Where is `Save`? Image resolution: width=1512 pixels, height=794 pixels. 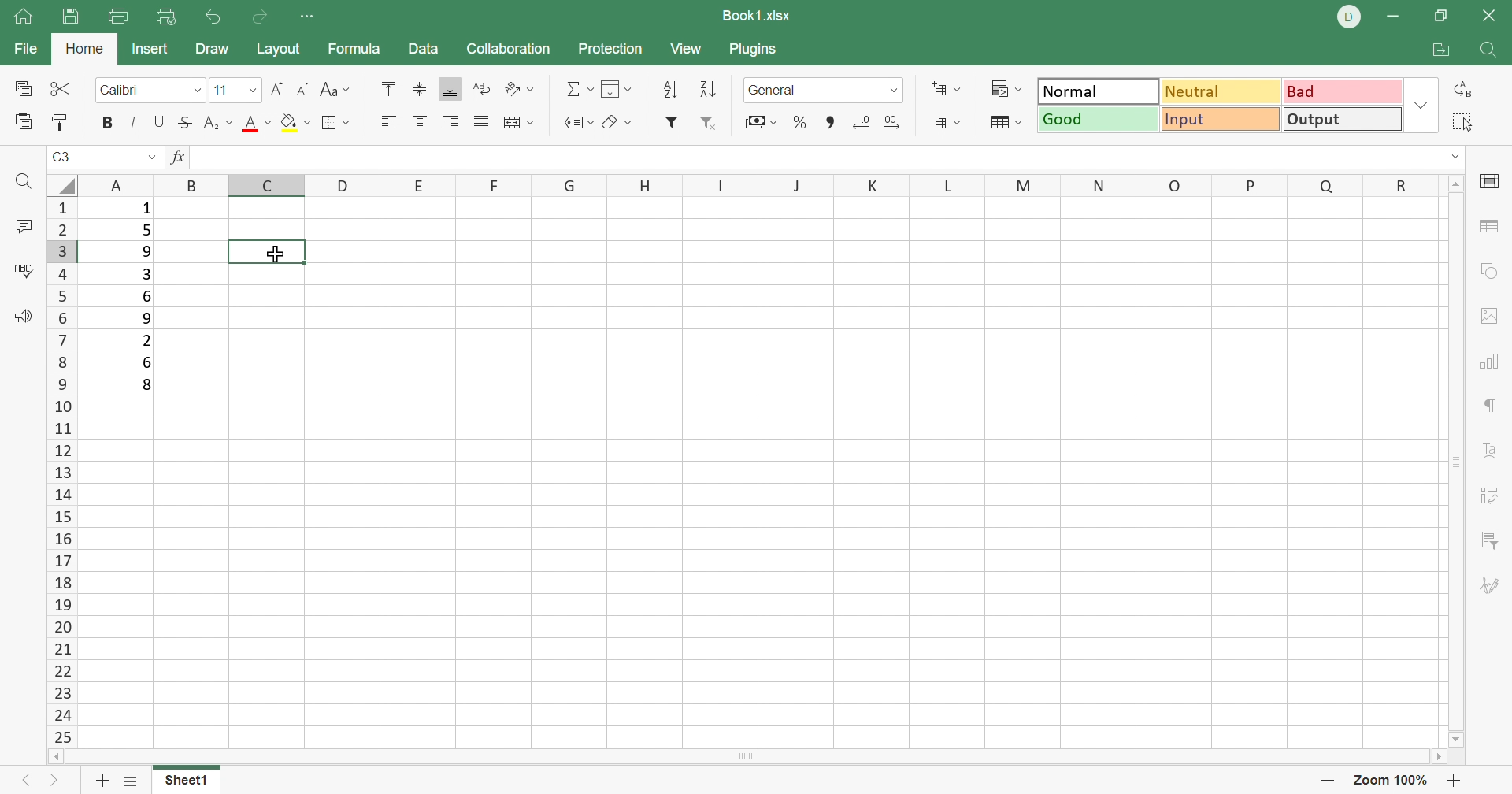 Save is located at coordinates (72, 17).